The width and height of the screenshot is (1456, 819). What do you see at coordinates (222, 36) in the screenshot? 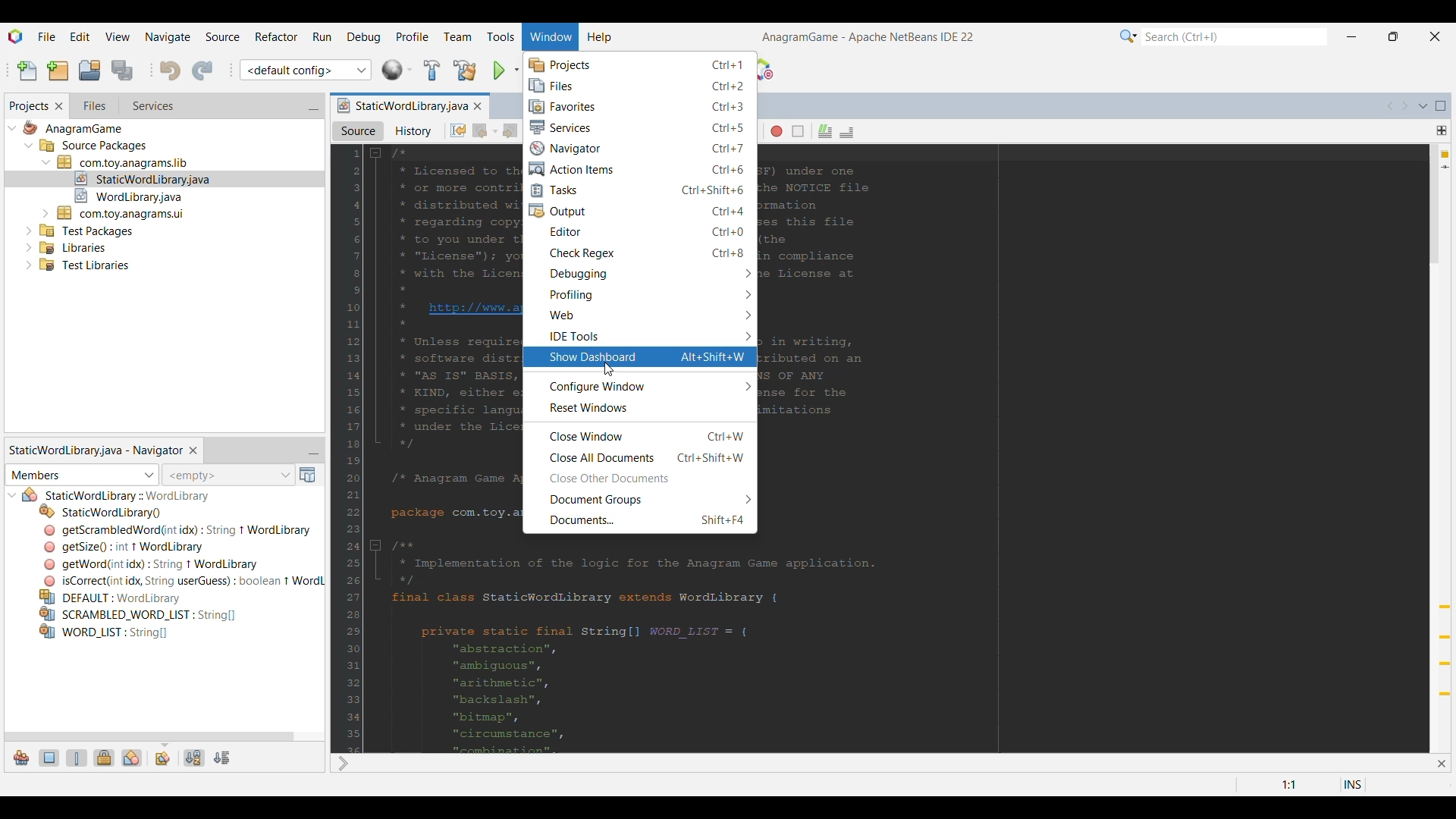
I see `Source menu` at bounding box center [222, 36].